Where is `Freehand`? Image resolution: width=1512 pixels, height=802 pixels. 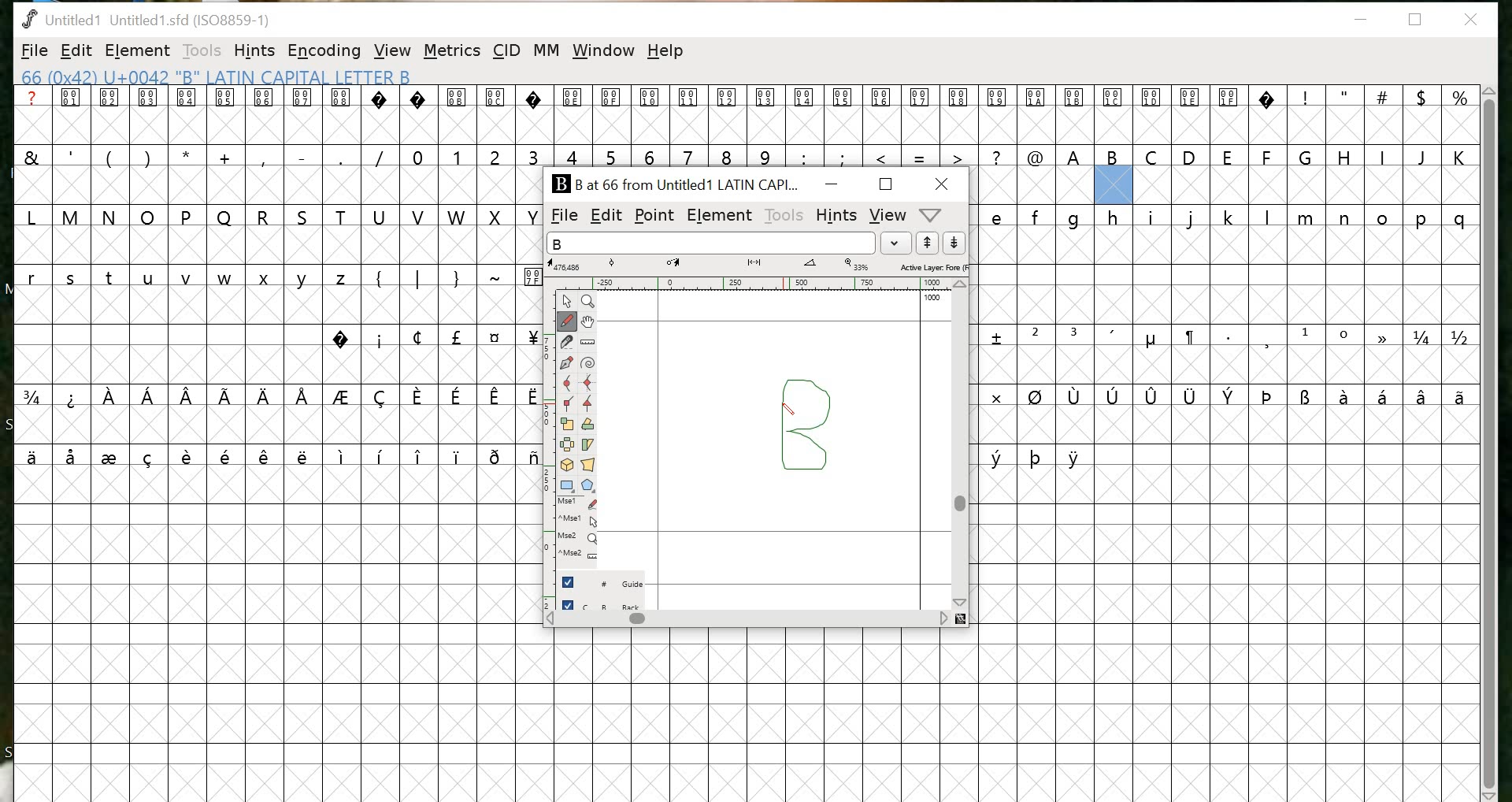
Freehand is located at coordinates (568, 323).